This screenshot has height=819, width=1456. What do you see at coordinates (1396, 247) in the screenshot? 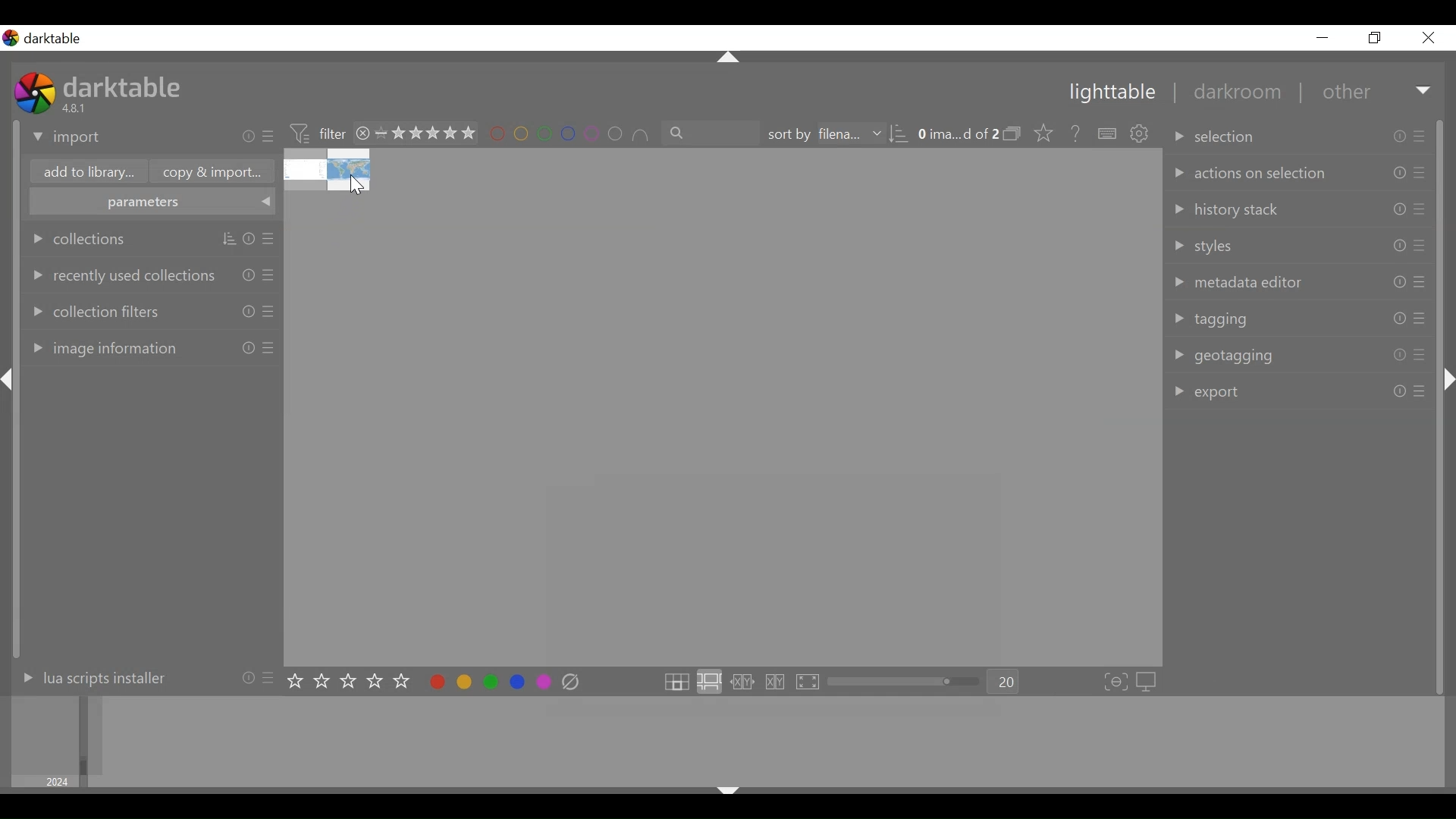
I see `` at bounding box center [1396, 247].